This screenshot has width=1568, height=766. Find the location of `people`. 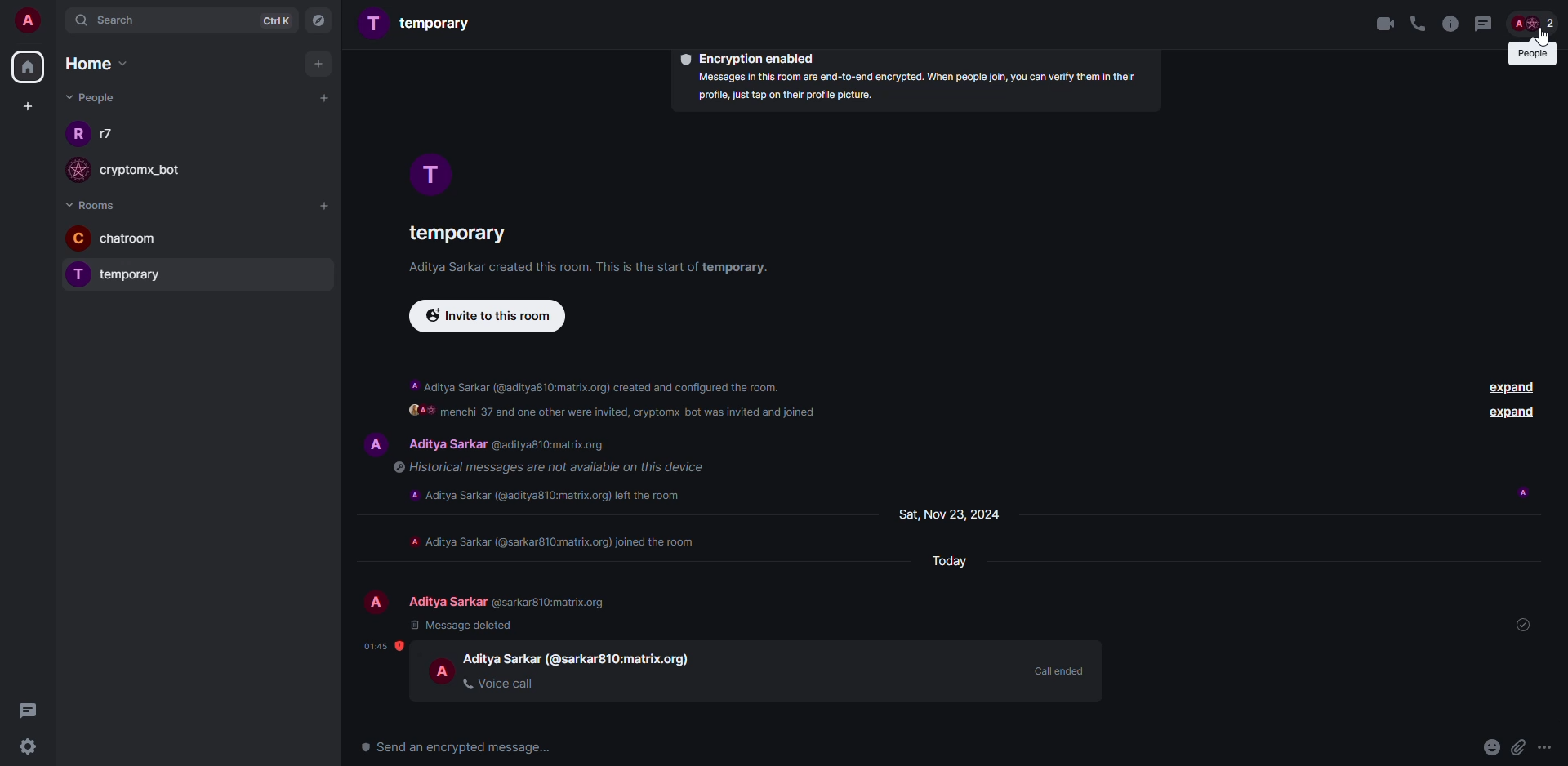

people is located at coordinates (580, 657).